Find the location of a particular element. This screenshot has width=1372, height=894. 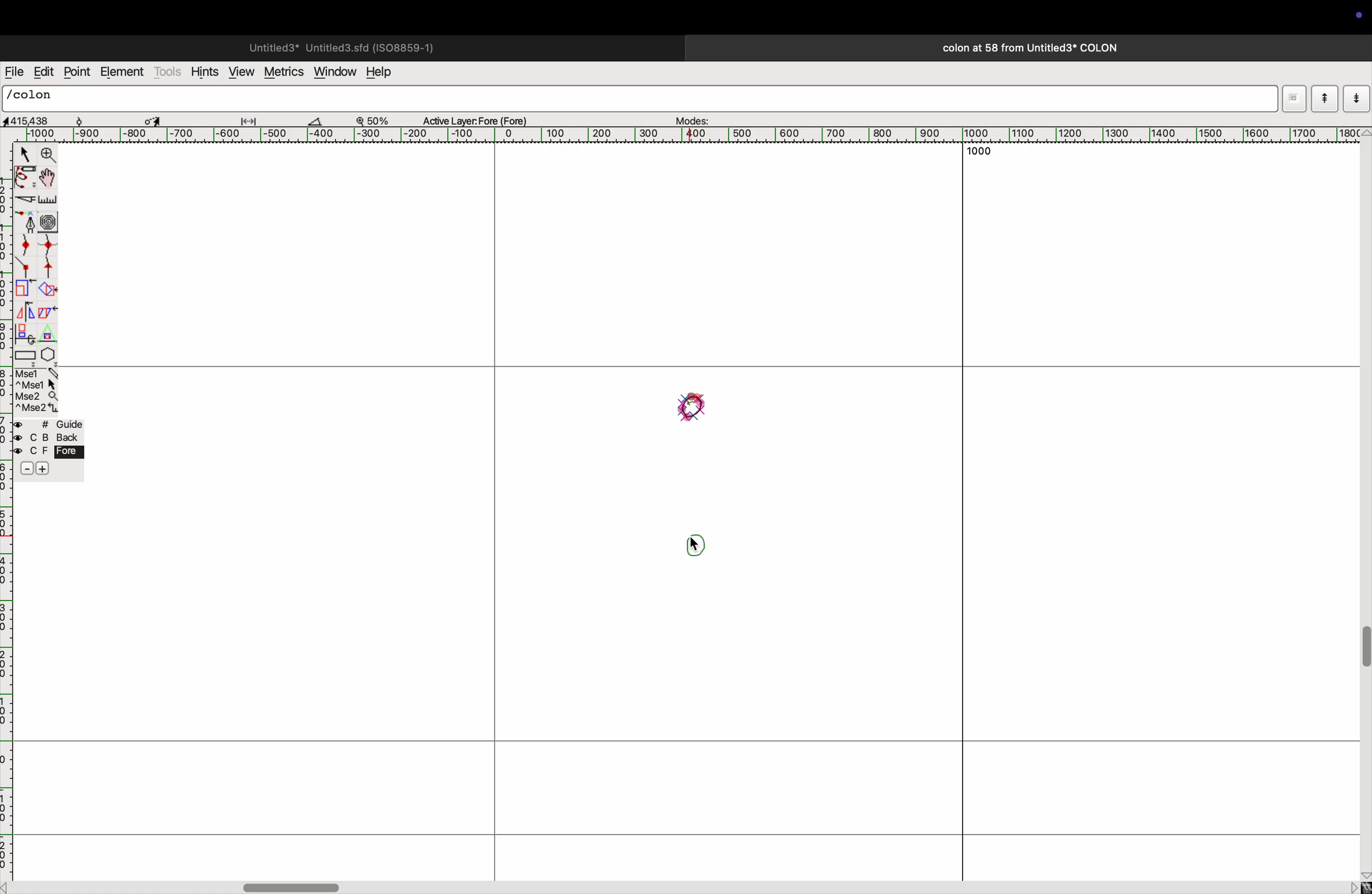

scale is located at coordinates (48, 201).